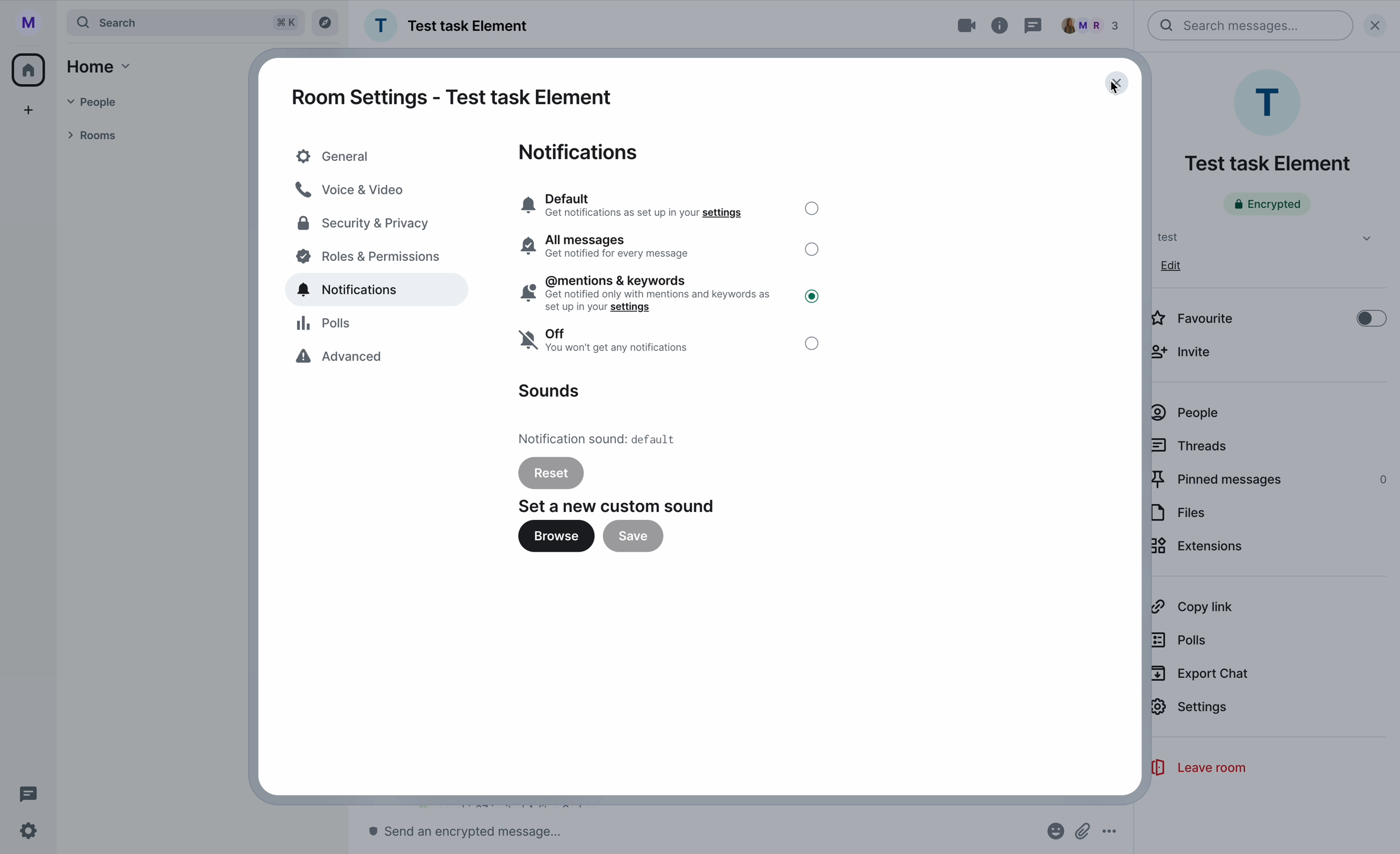 Image resolution: width=1400 pixels, height=854 pixels. Describe the element at coordinates (26, 21) in the screenshot. I see `profile` at that location.